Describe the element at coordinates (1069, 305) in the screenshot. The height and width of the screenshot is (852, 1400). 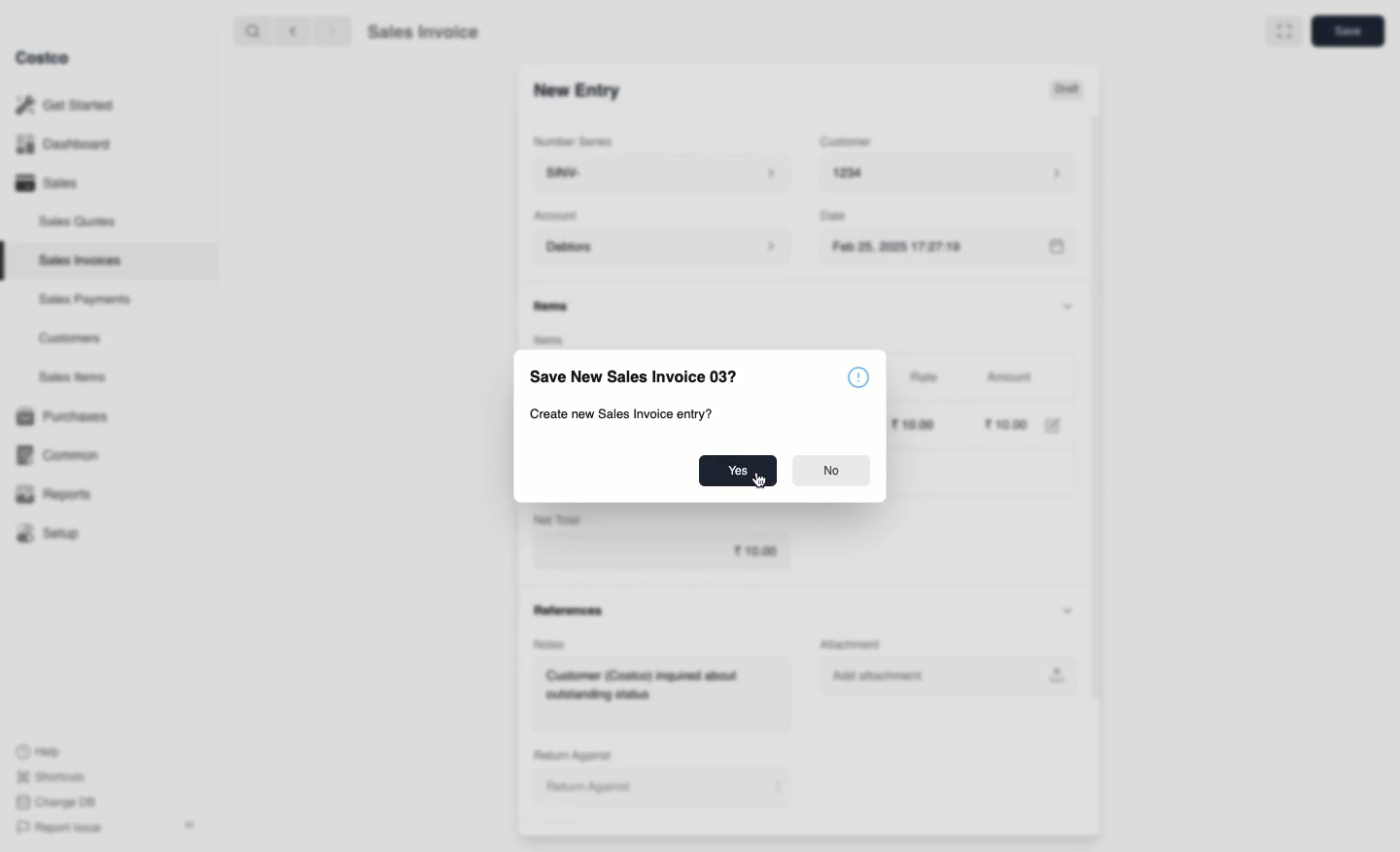
I see `Hide` at that location.